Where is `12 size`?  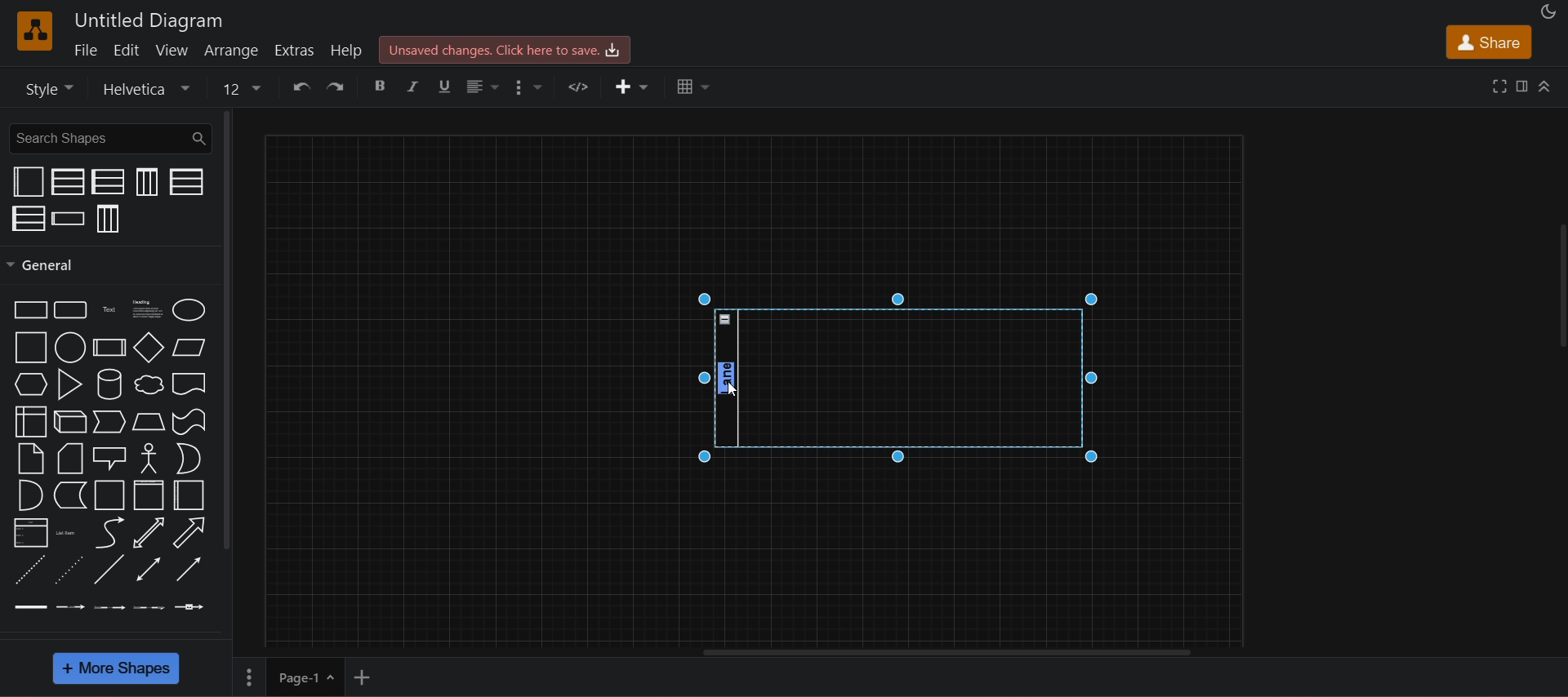 12 size is located at coordinates (238, 87).